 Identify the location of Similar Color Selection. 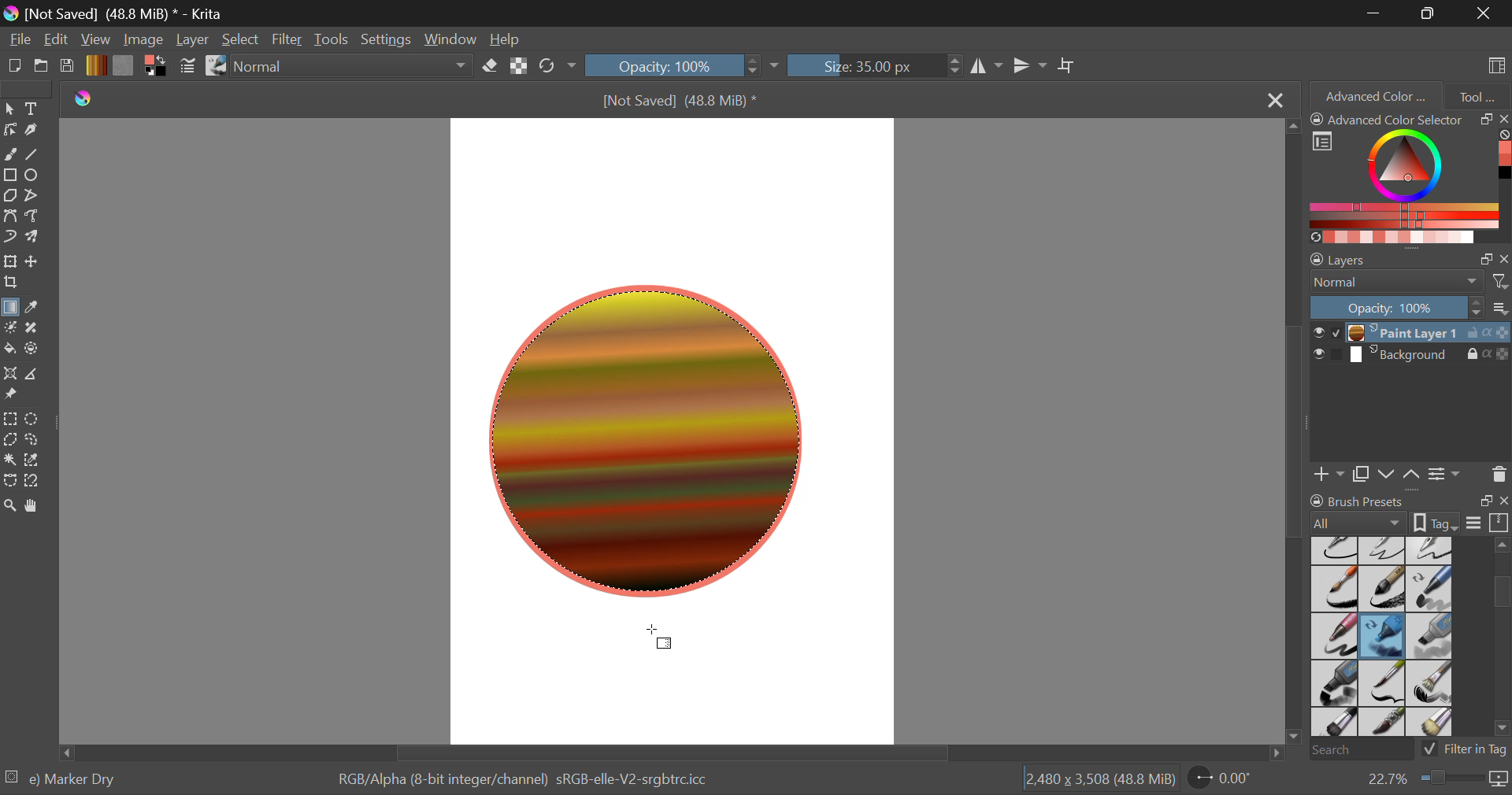
(37, 461).